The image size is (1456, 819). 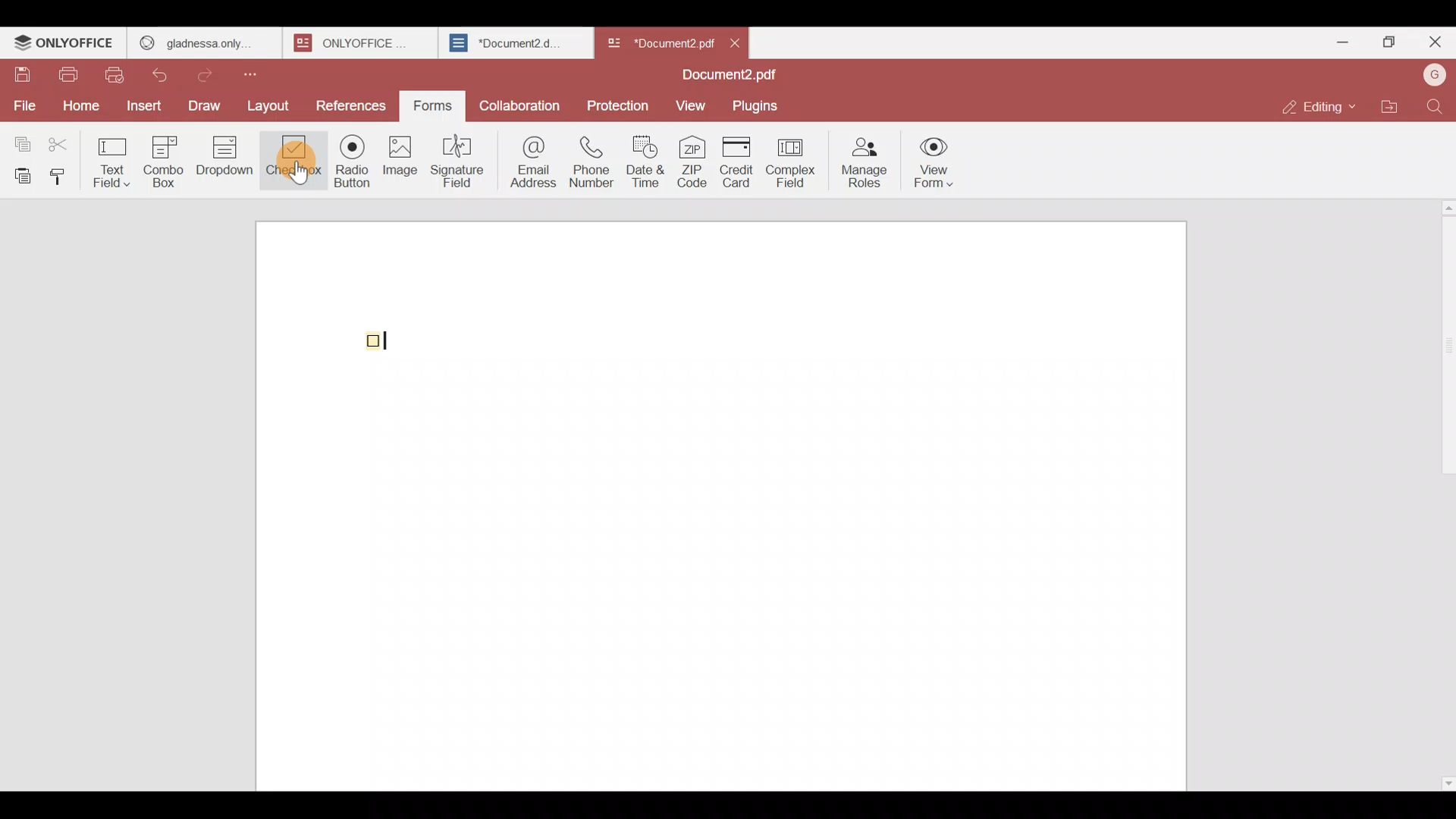 What do you see at coordinates (462, 159) in the screenshot?
I see `Signature field` at bounding box center [462, 159].